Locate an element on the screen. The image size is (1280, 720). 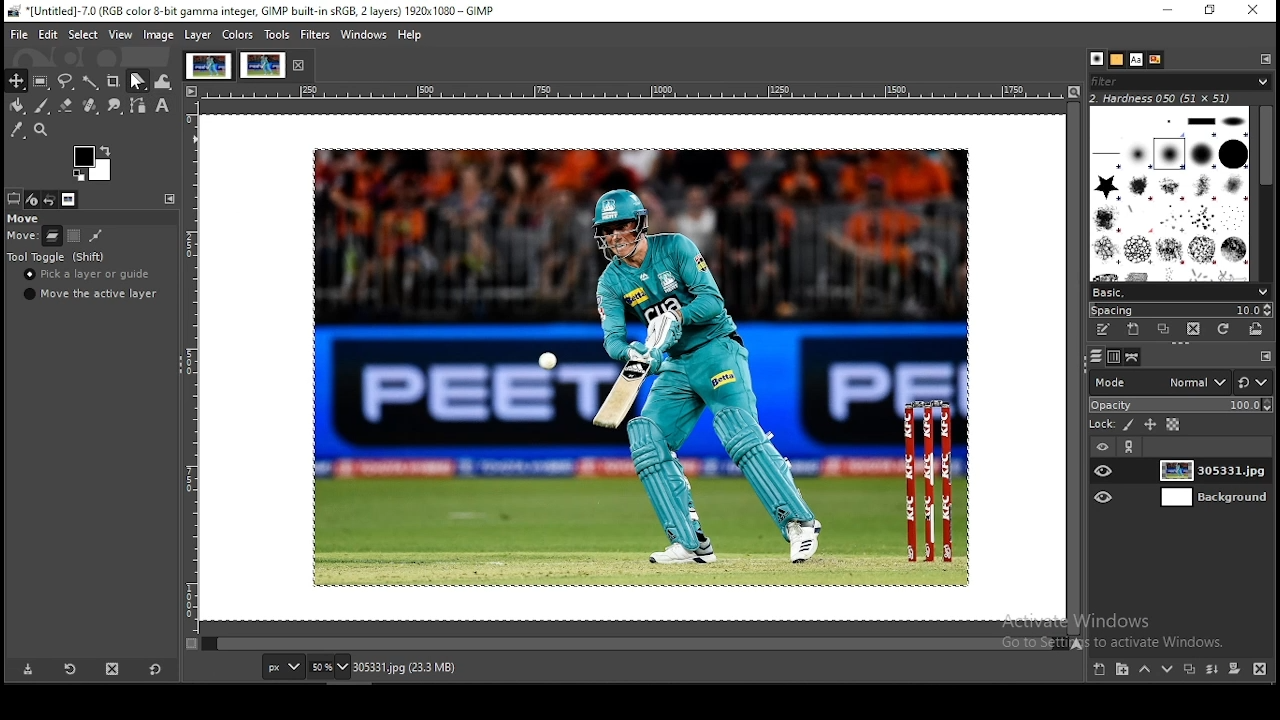
shear tool is located at coordinates (138, 80).